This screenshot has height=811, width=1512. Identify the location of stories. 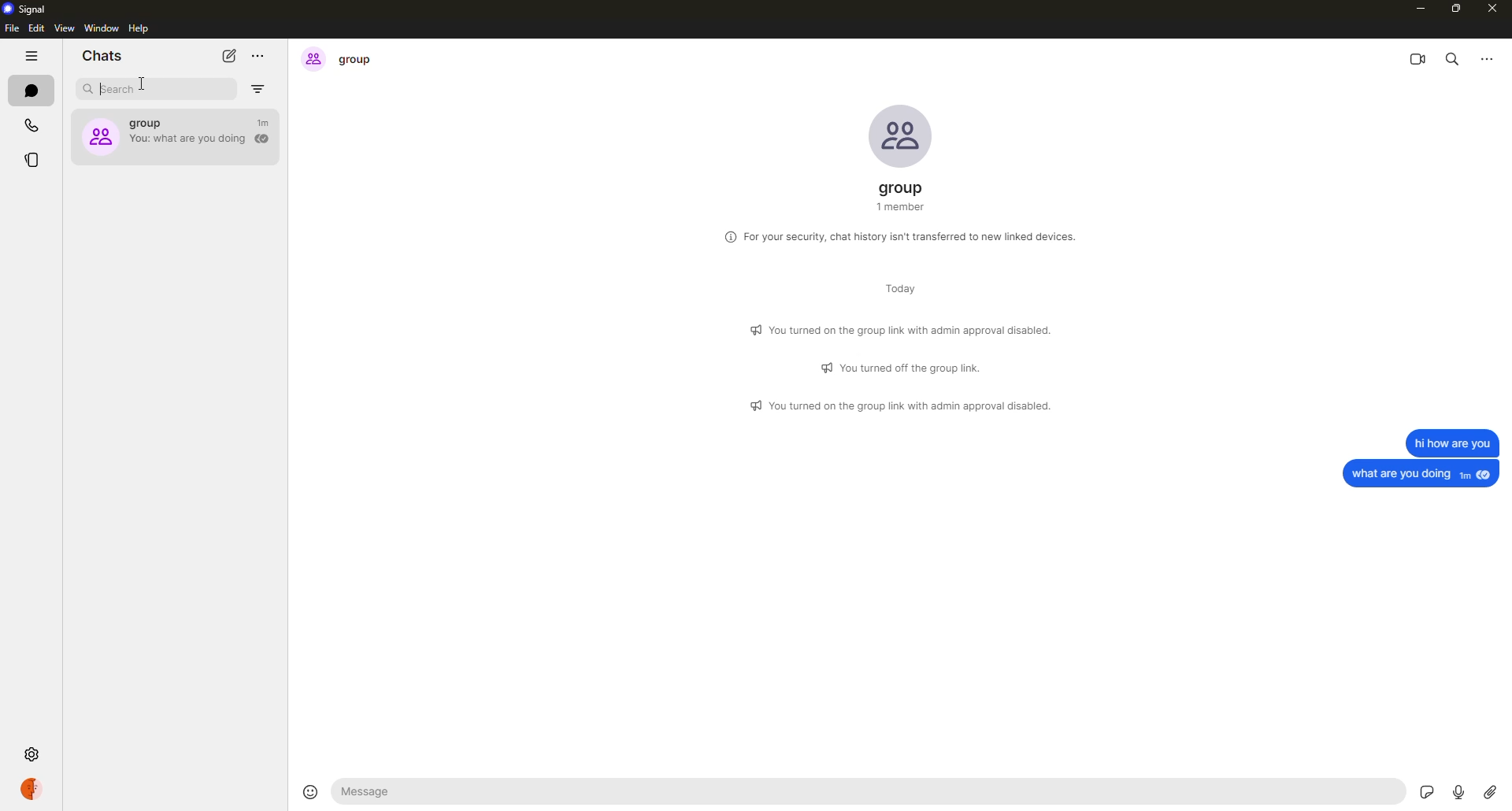
(33, 161).